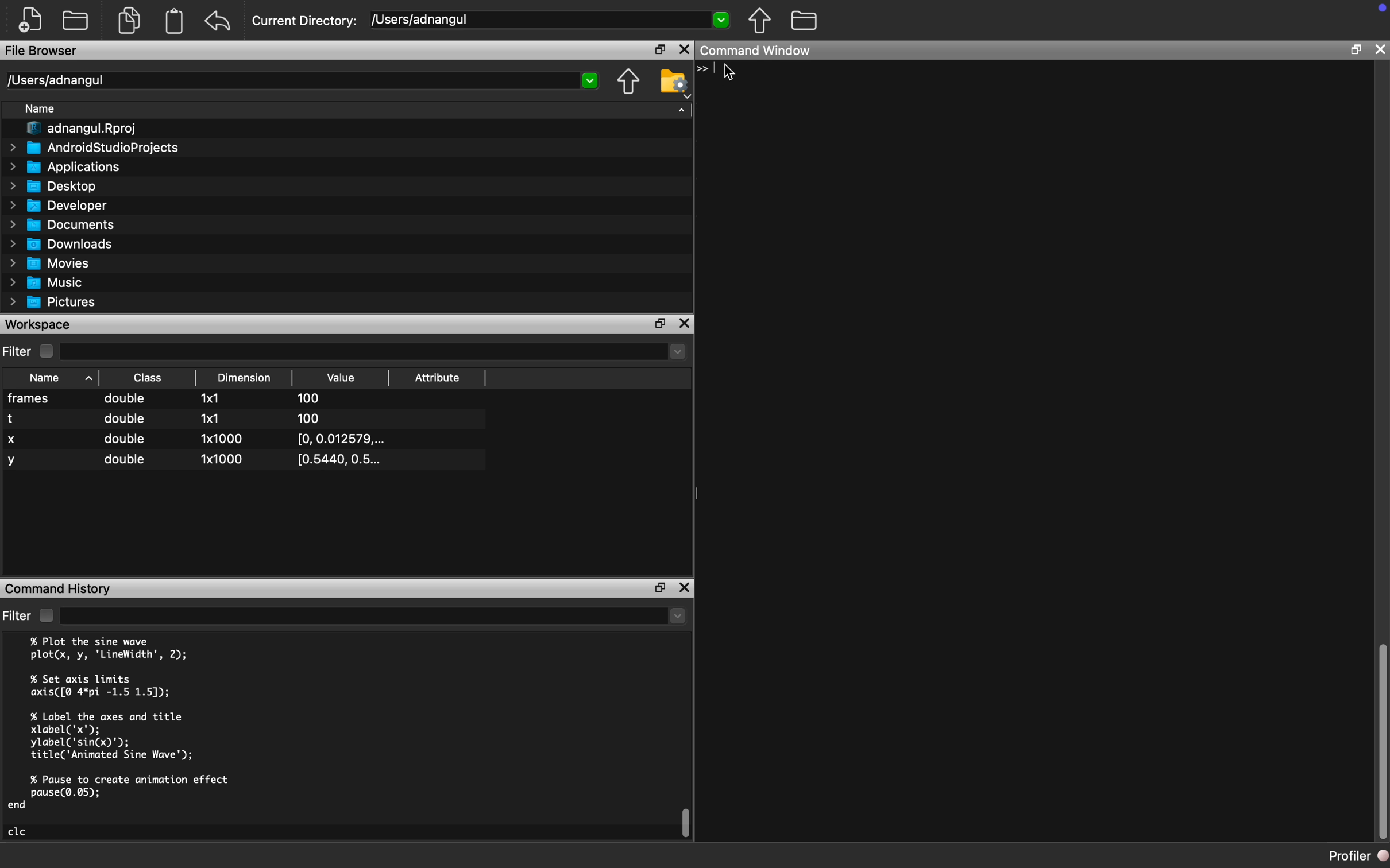 The width and height of the screenshot is (1390, 868). What do you see at coordinates (75, 21) in the screenshot?
I see `Open Folder` at bounding box center [75, 21].